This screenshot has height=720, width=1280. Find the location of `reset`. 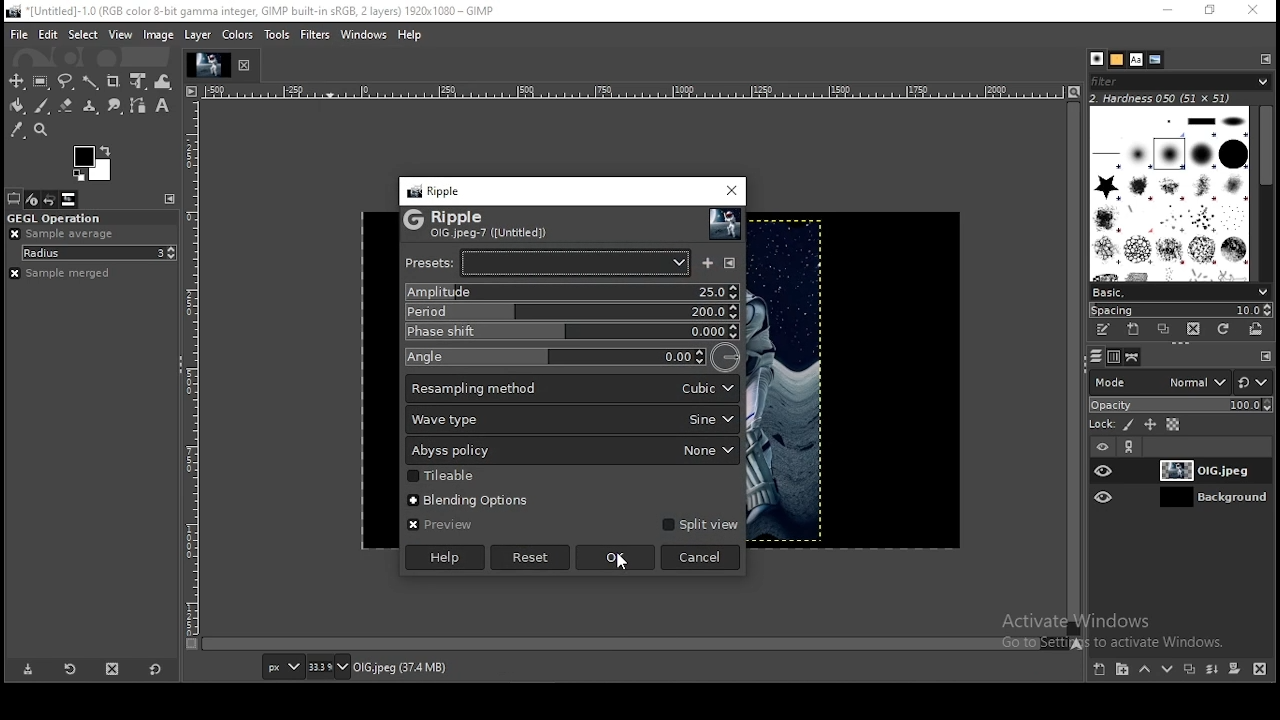

reset is located at coordinates (530, 557).